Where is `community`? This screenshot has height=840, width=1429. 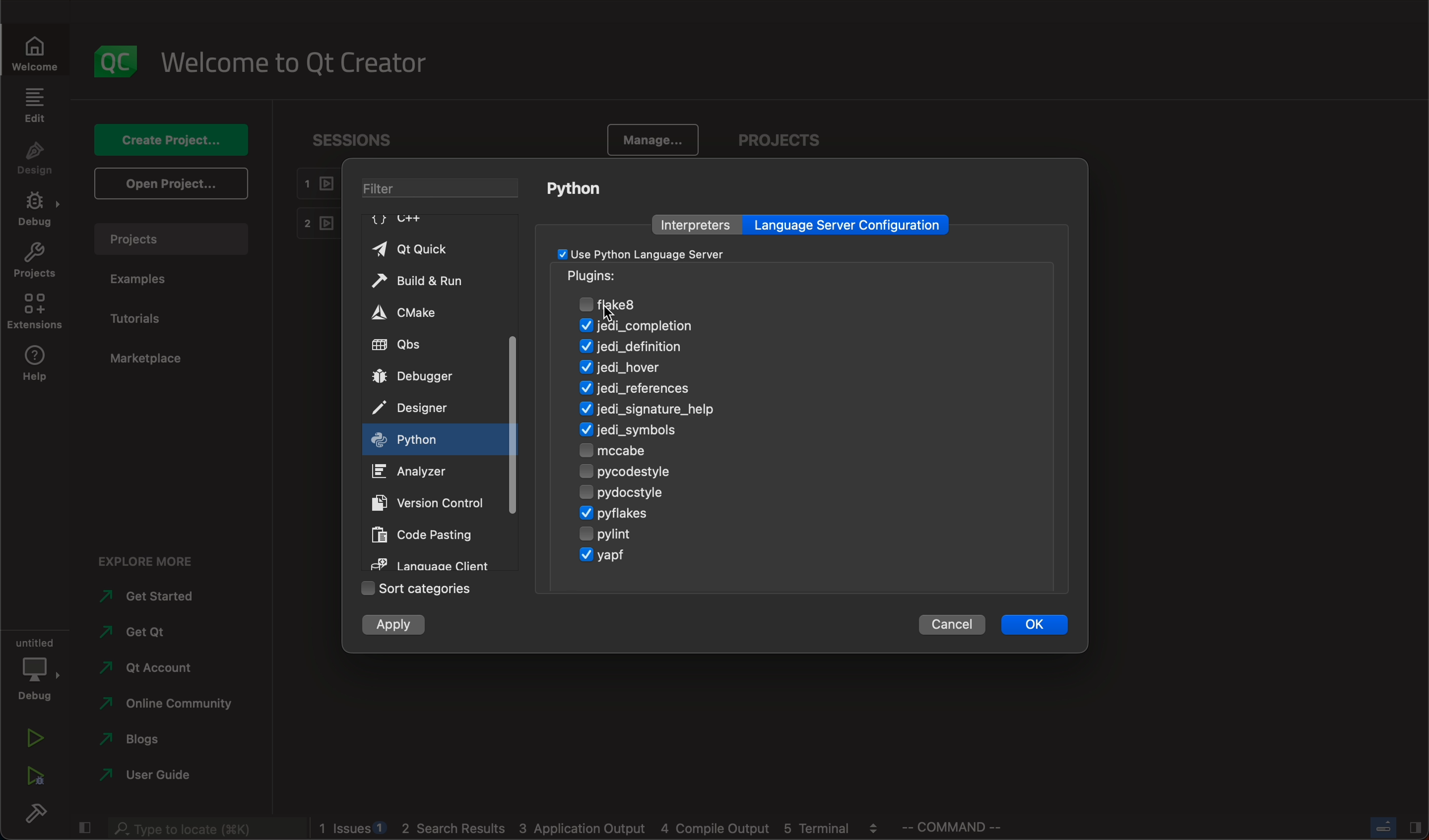
community is located at coordinates (174, 705).